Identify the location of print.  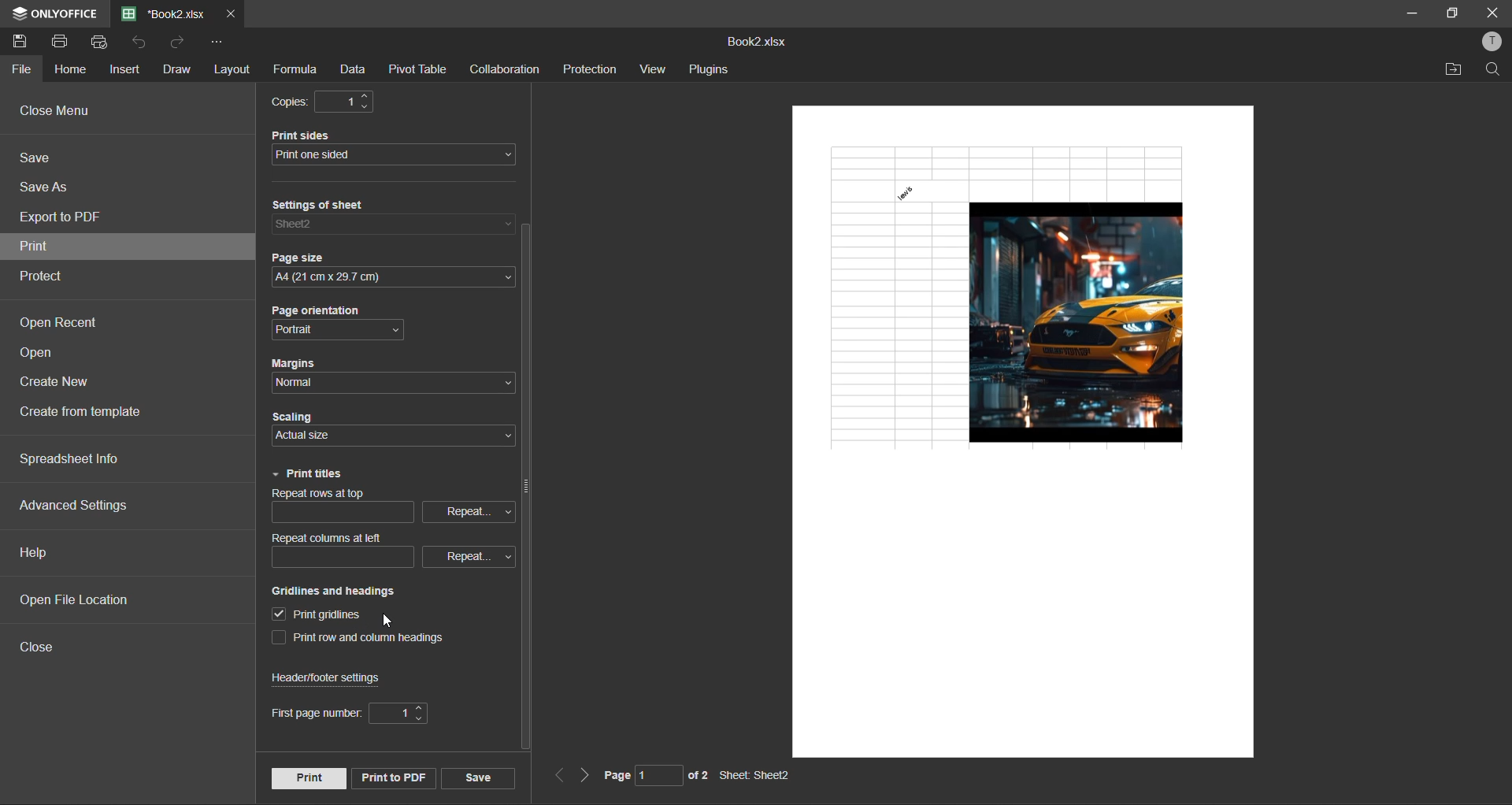
(42, 248).